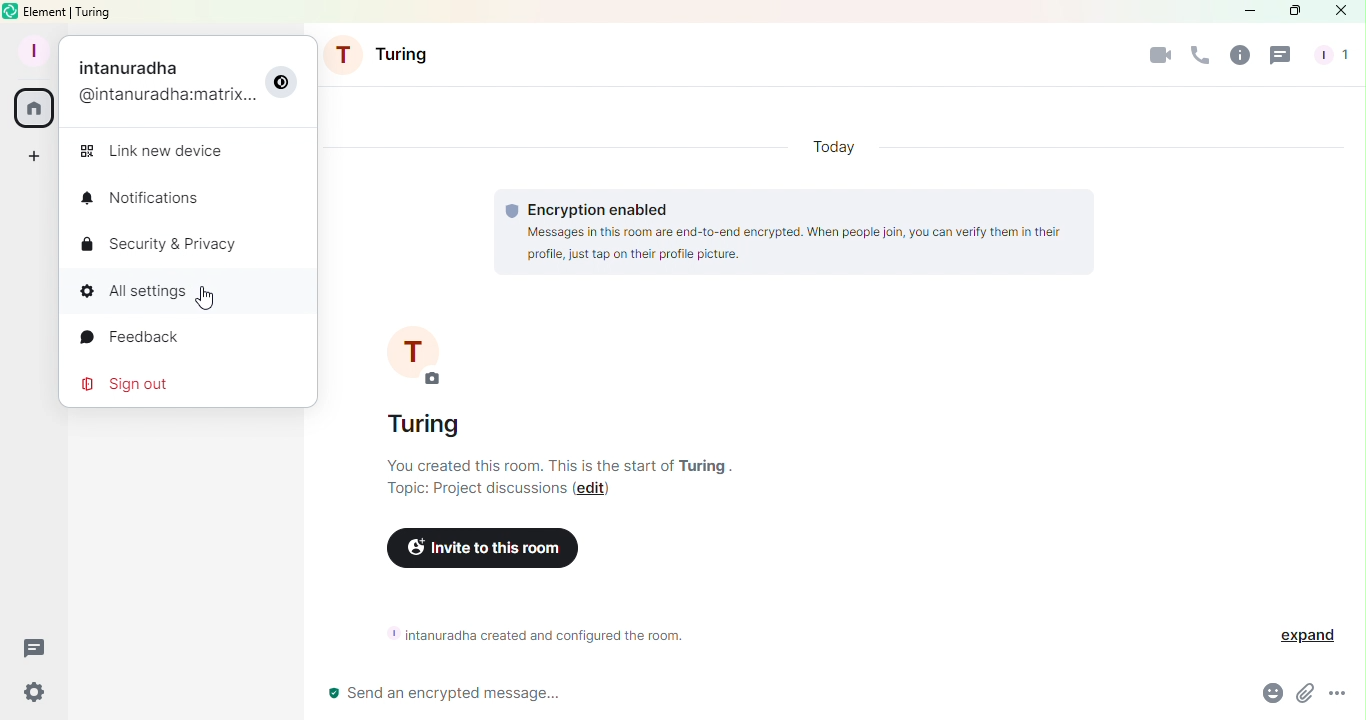 This screenshot has width=1366, height=720. I want to click on Threads, so click(1283, 56).